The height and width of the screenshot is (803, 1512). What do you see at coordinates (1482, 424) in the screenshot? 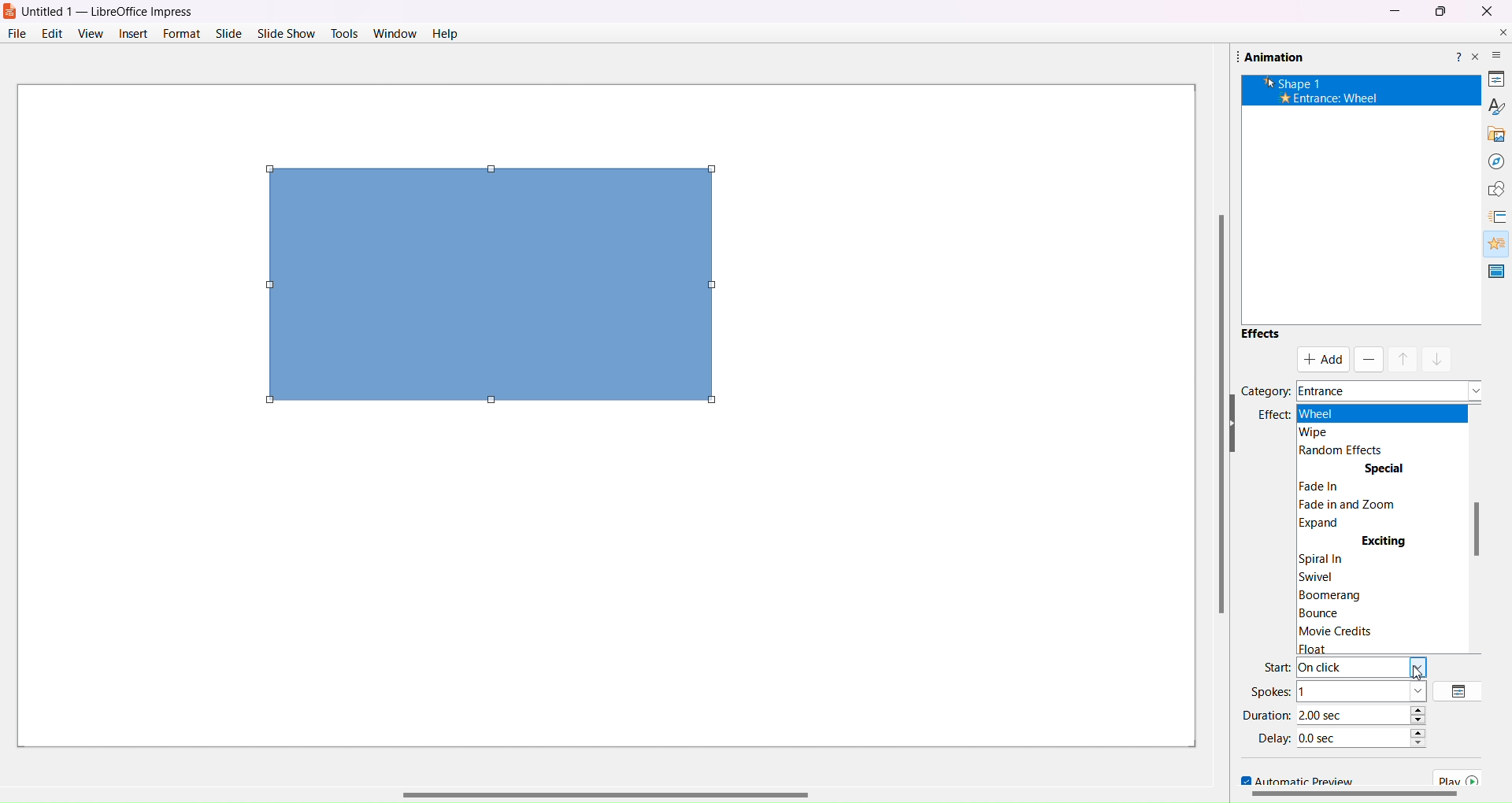
I see `Hide` at bounding box center [1482, 424].